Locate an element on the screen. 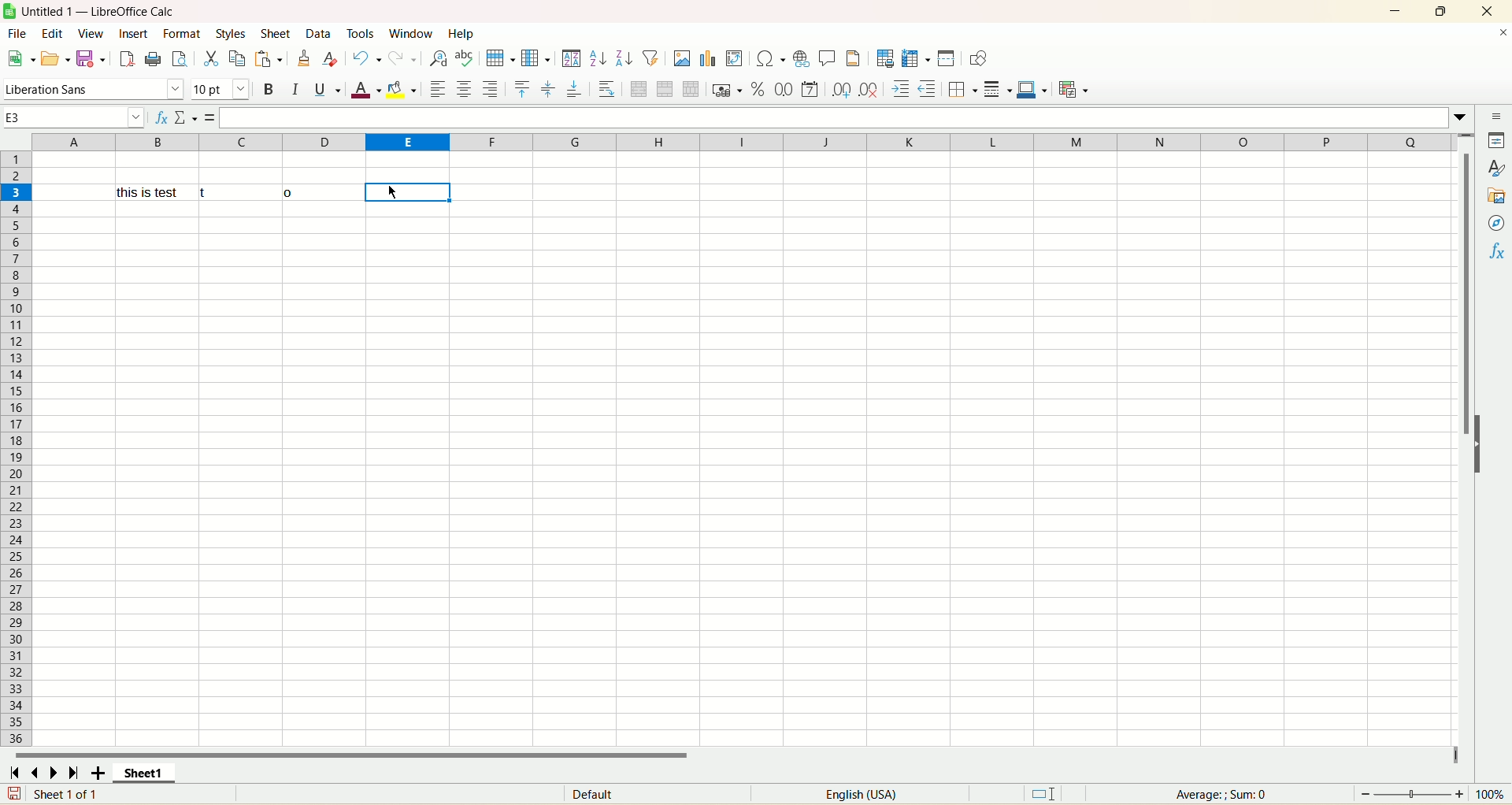 The width and height of the screenshot is (1512, 805). insert special character is located at coordinates (772, 59).